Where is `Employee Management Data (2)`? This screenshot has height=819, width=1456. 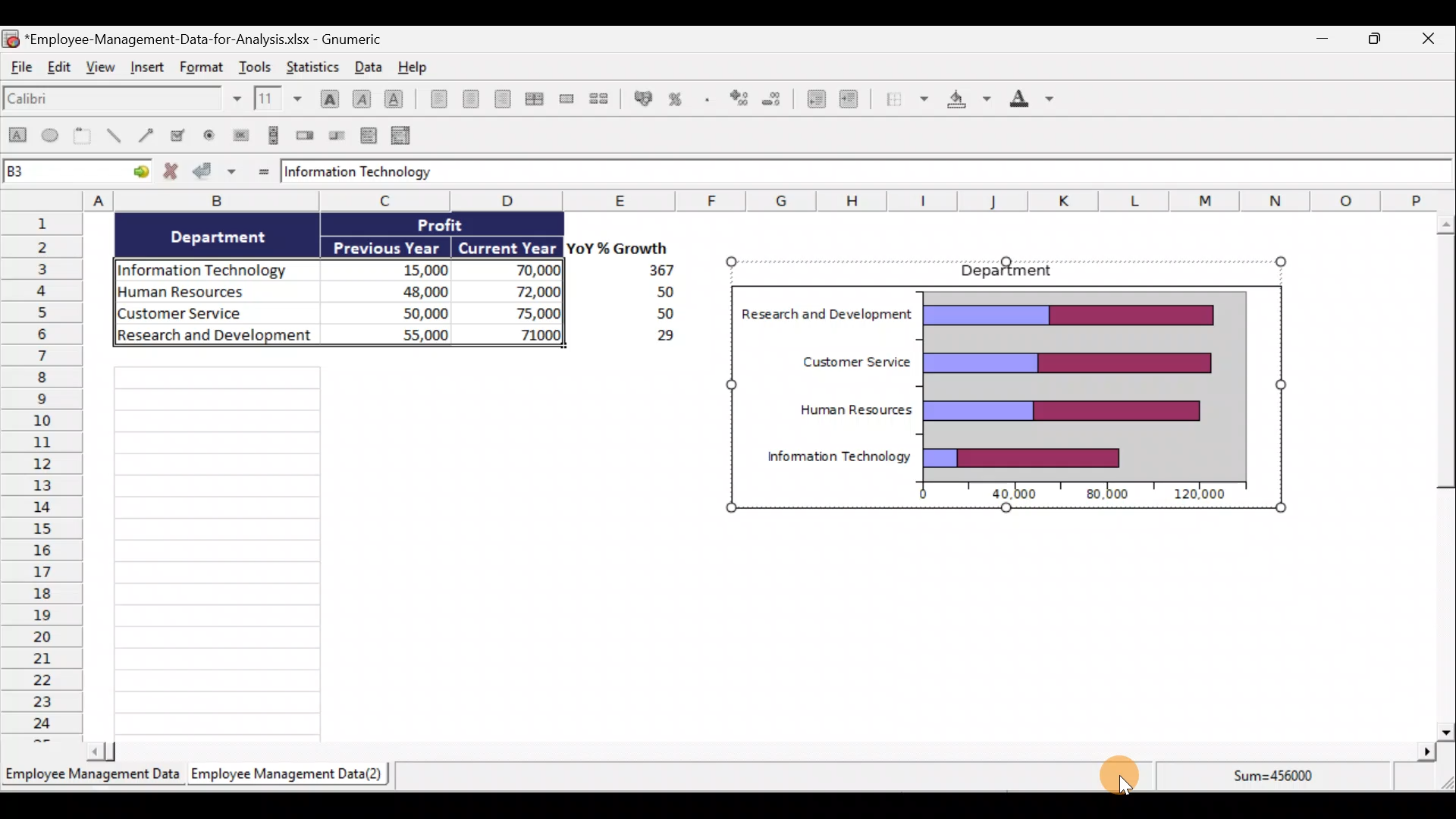
Employee Management Data (2) is located at coordinates (290, 773).